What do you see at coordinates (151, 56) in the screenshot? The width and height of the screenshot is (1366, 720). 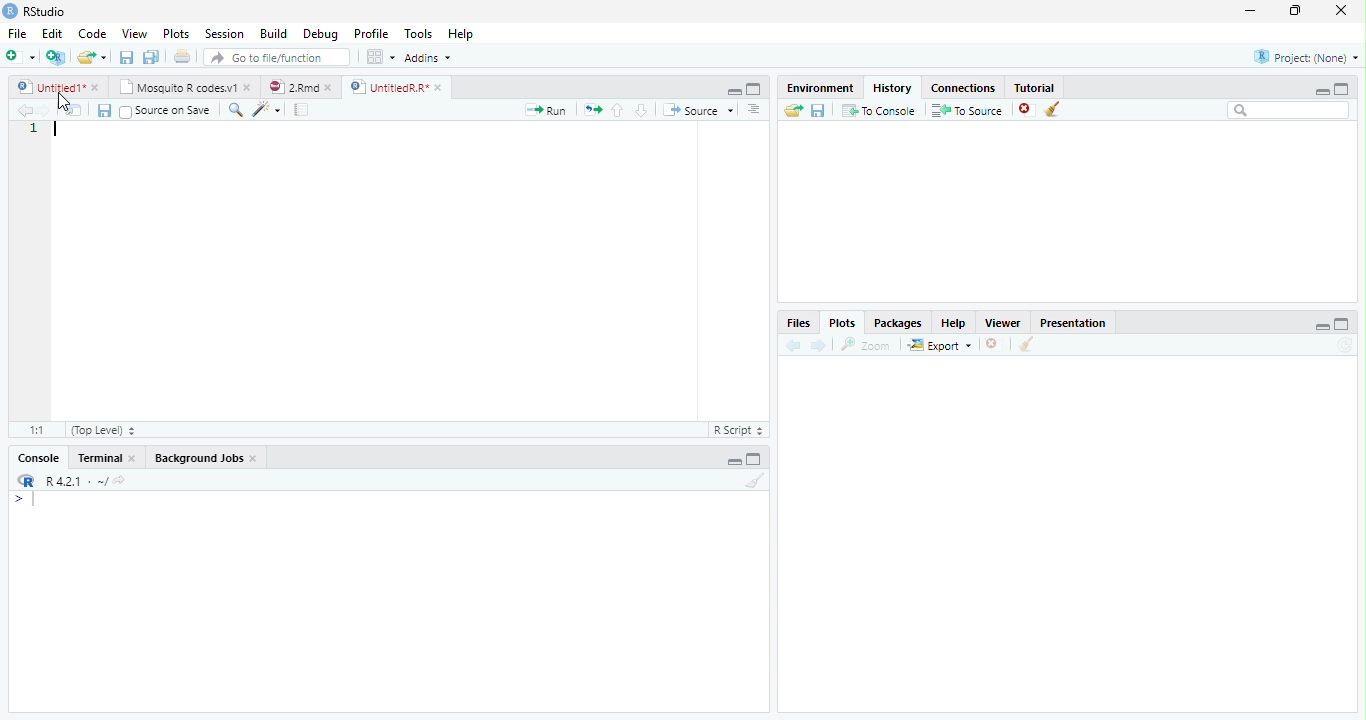 I see `Save all open documents` at bounding box center [151, 56].